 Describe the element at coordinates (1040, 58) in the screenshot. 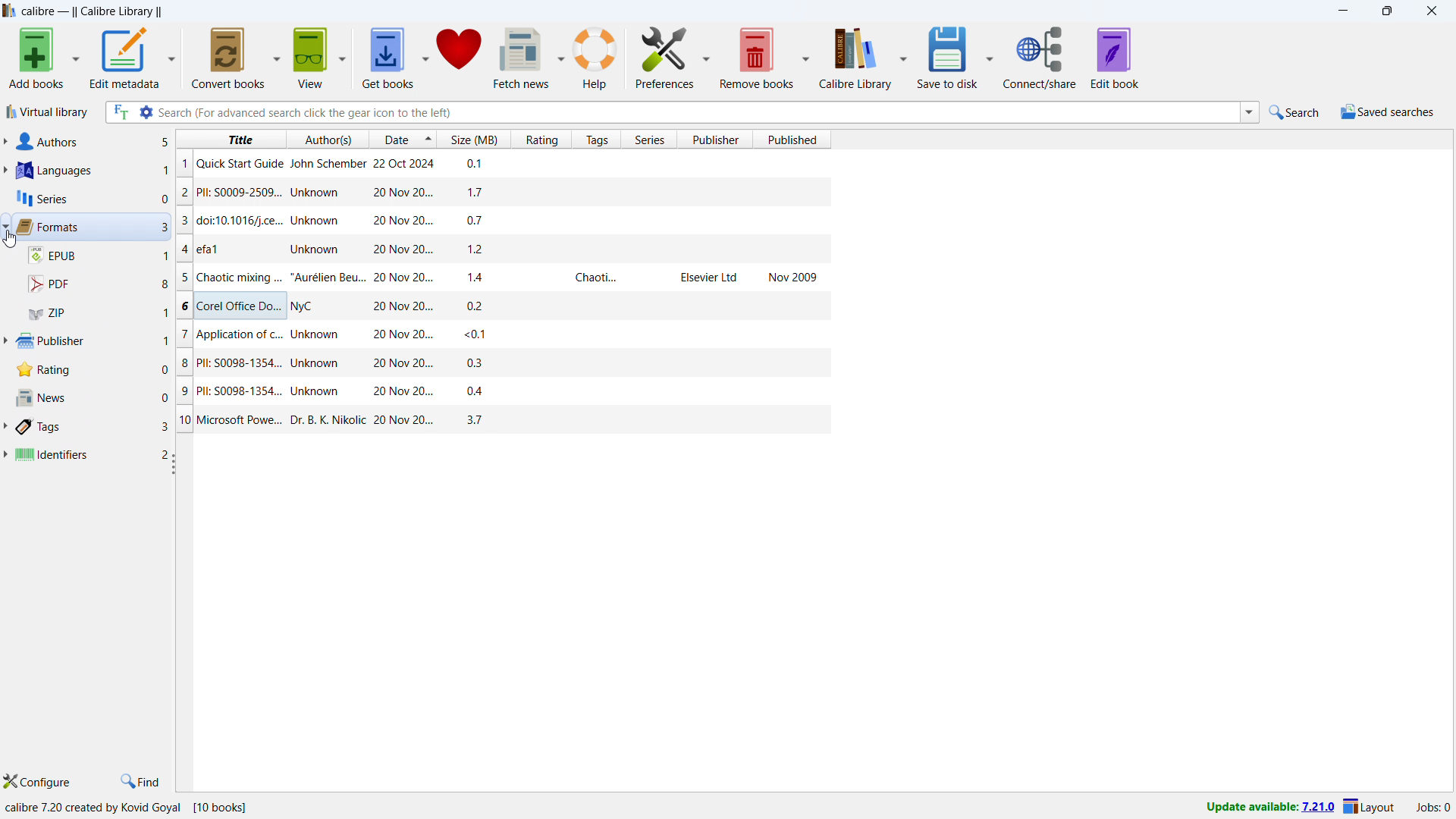

I see `connect/share` at that location.